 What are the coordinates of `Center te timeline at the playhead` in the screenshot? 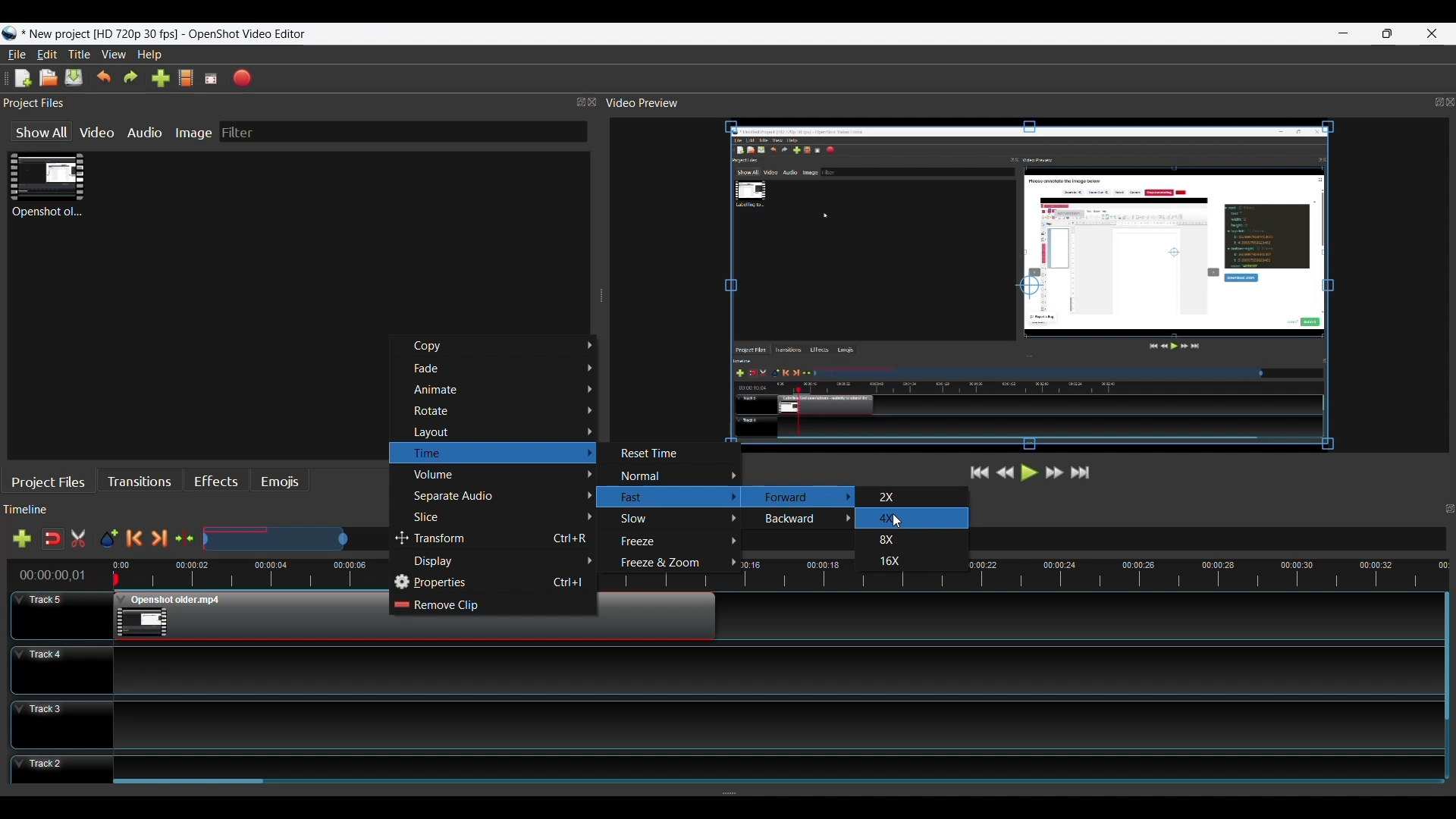 It's located at (185, 539).